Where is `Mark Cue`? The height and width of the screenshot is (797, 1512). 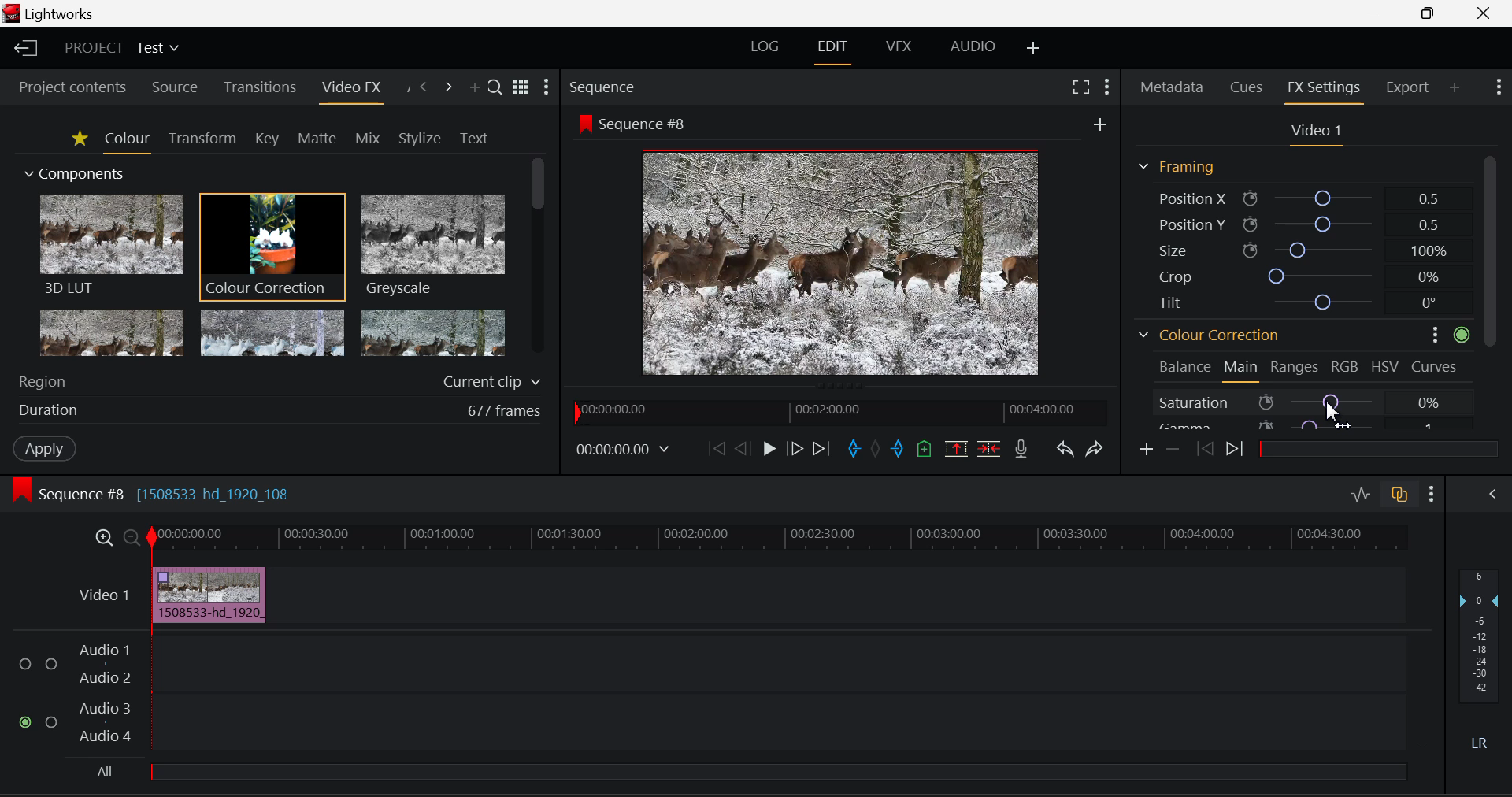 Mark Cue is located at coordinates (925, 450).